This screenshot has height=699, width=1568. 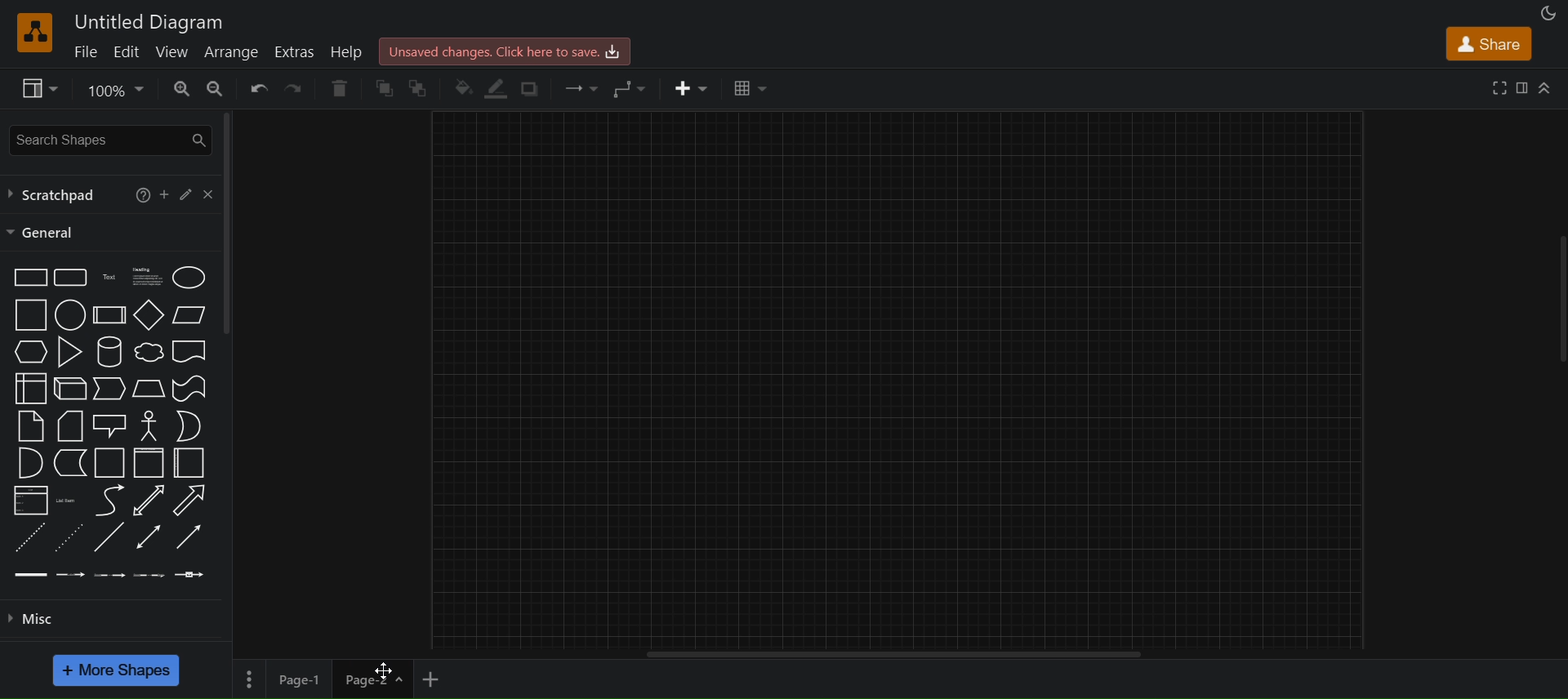 I want to click on diamond, so click(x=149, y=314).